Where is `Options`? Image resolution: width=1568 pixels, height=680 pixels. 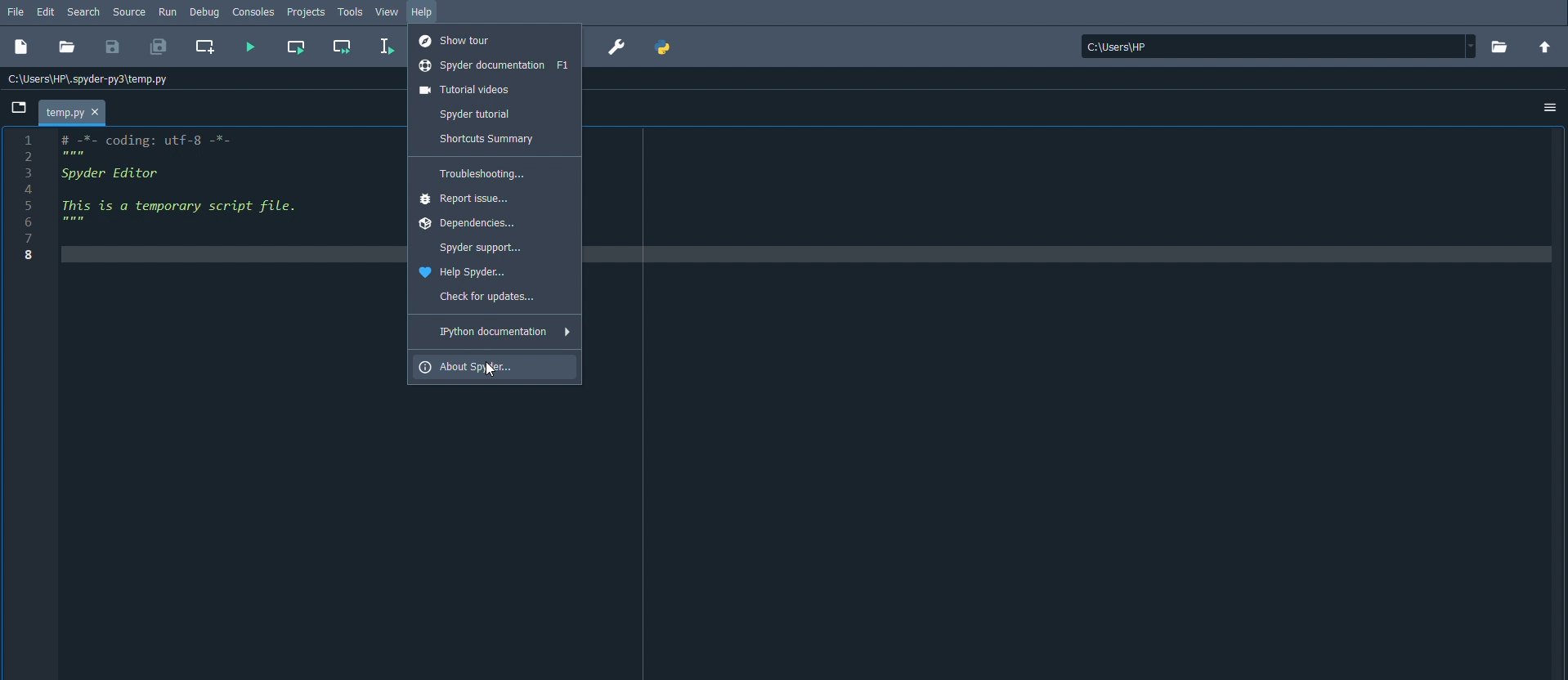 Options is located at coordinates (1551, 109).